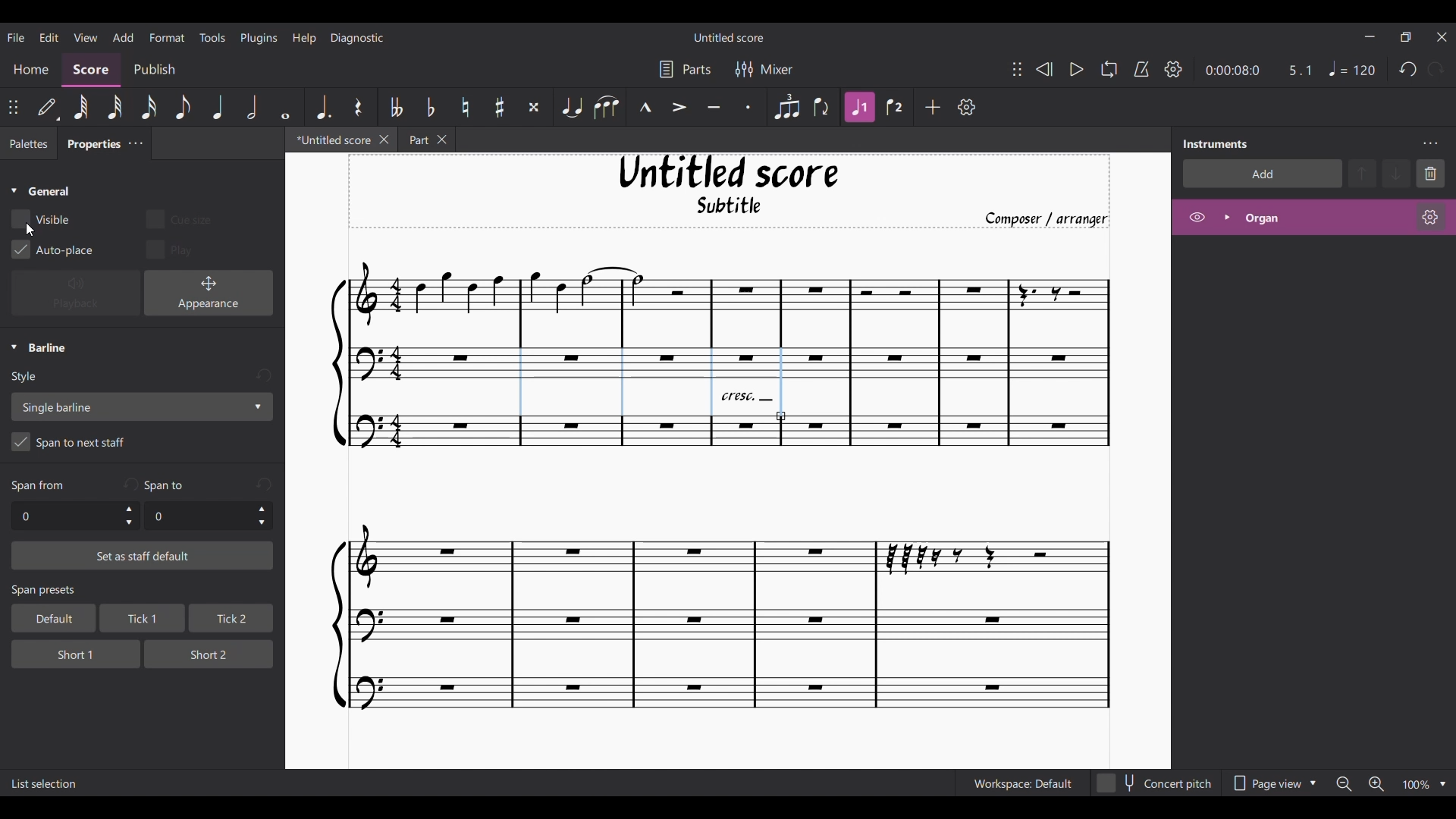 The width and height of the screenshot is (1456, 819). I want to click on Move selection up, so click(1363, 173).